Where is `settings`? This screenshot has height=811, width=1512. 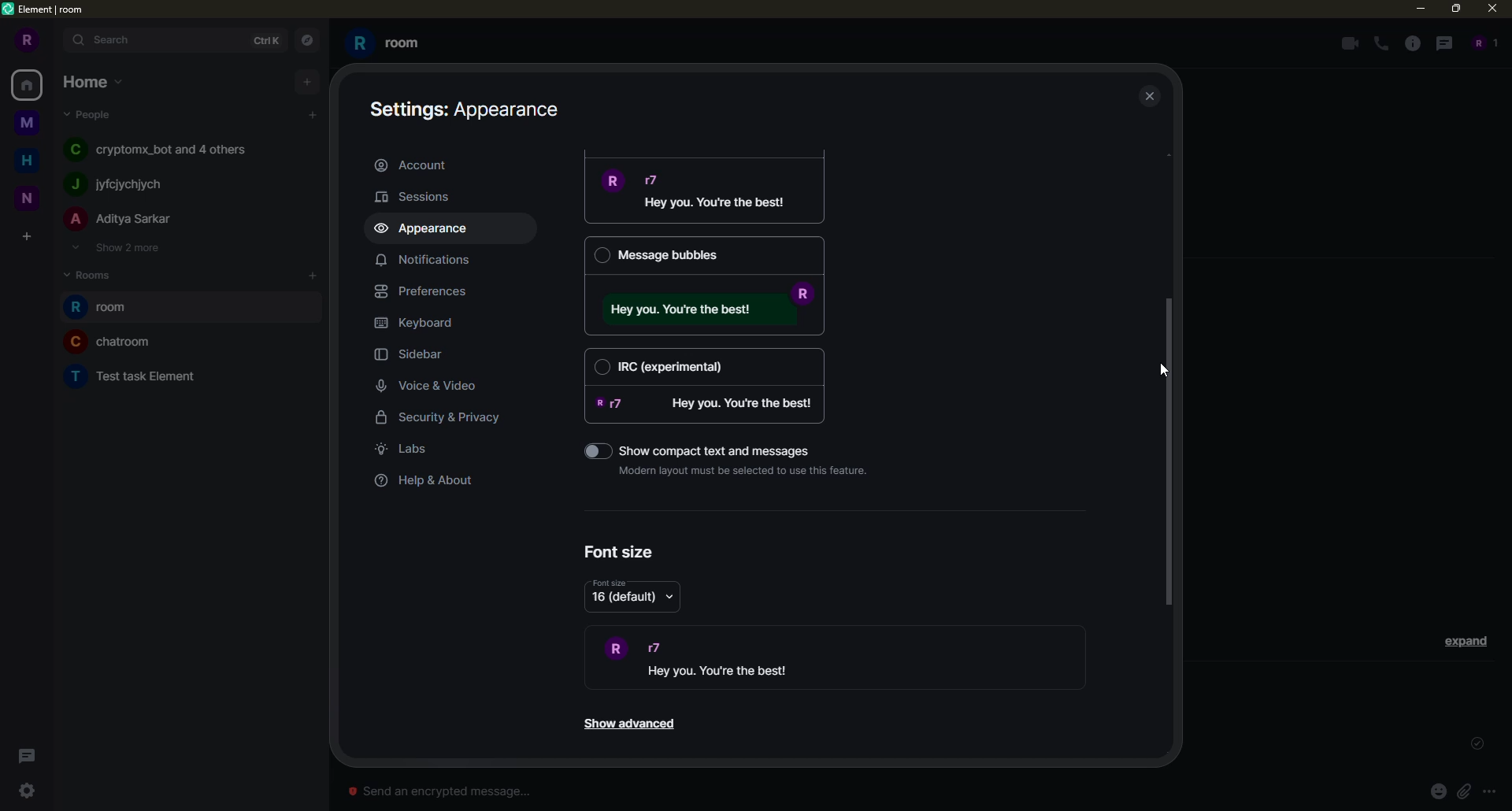
settings is located at coordinates (27, 791).